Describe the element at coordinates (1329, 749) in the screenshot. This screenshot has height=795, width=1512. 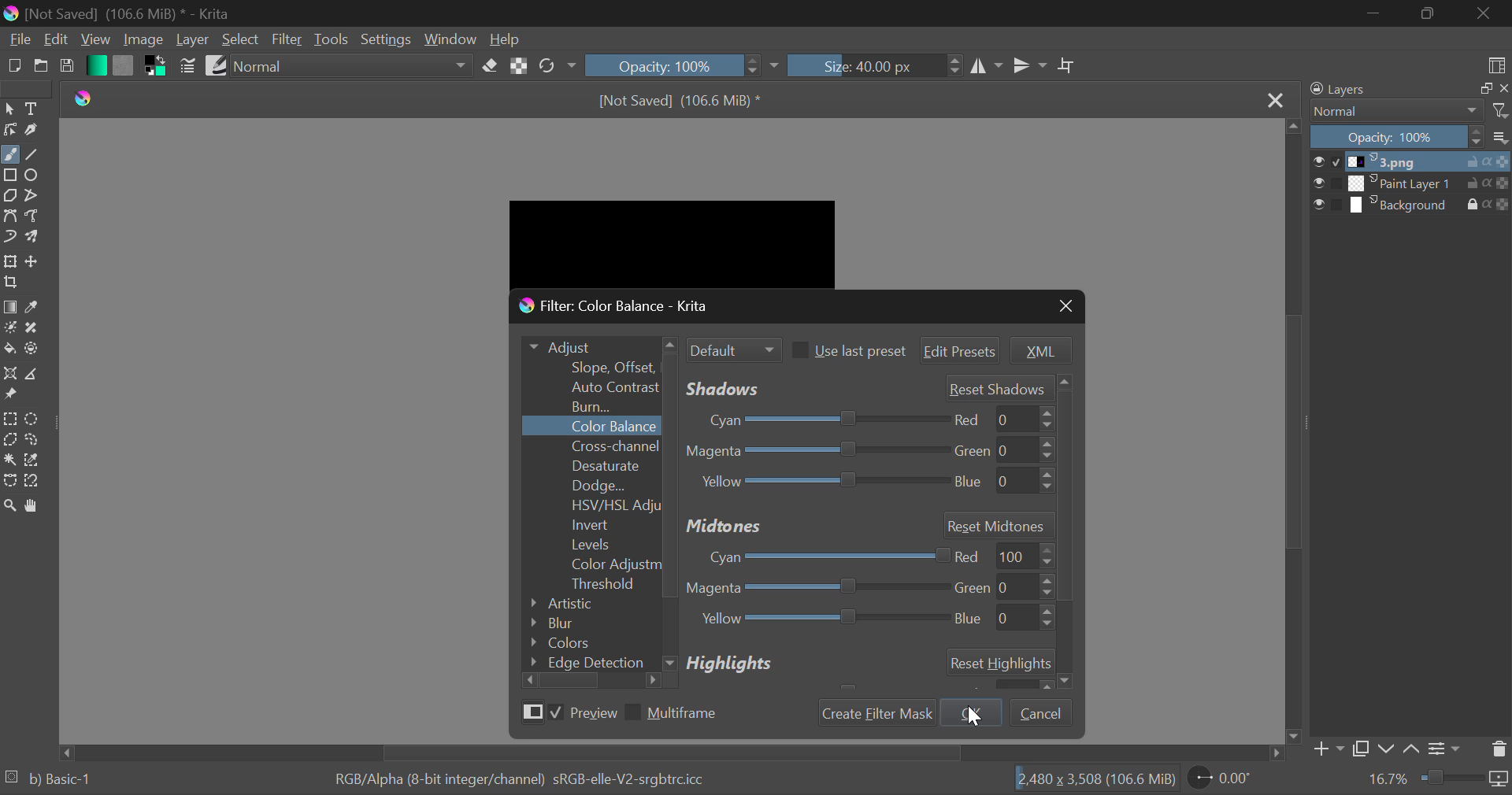
I see `Add Layer` at that location.